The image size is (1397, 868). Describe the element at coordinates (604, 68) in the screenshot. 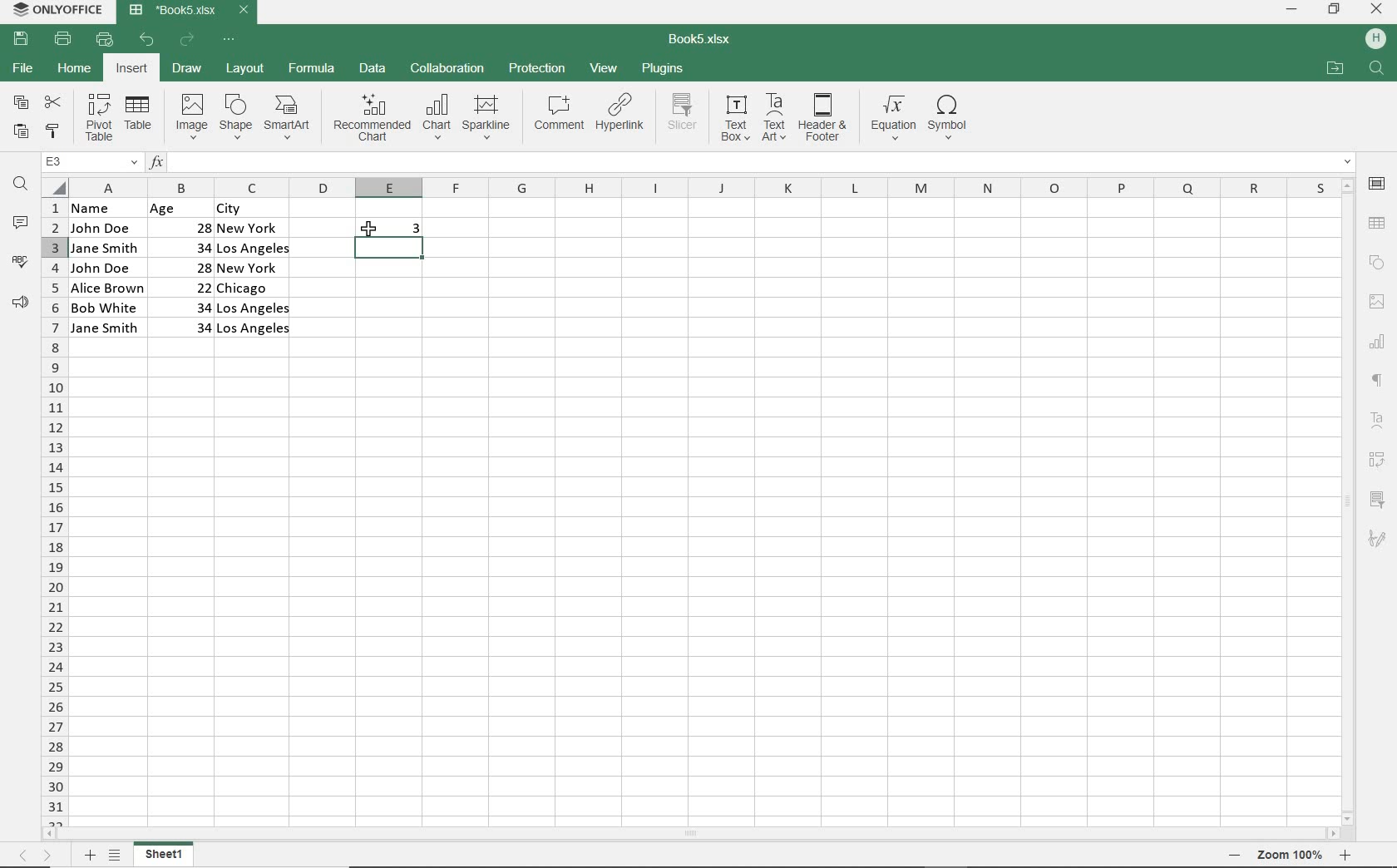

I see `VIEW` at that location.